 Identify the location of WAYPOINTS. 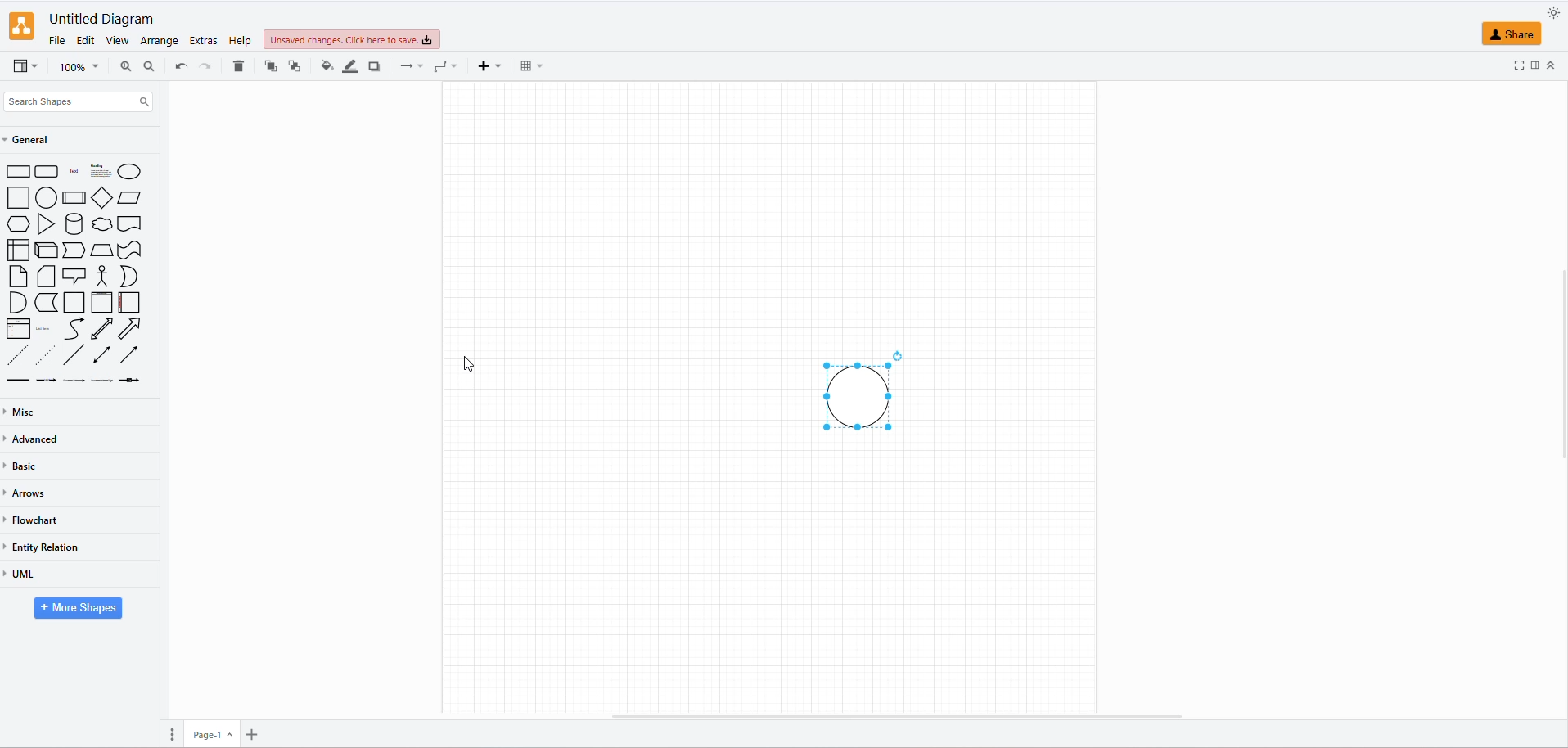
(442, 70).